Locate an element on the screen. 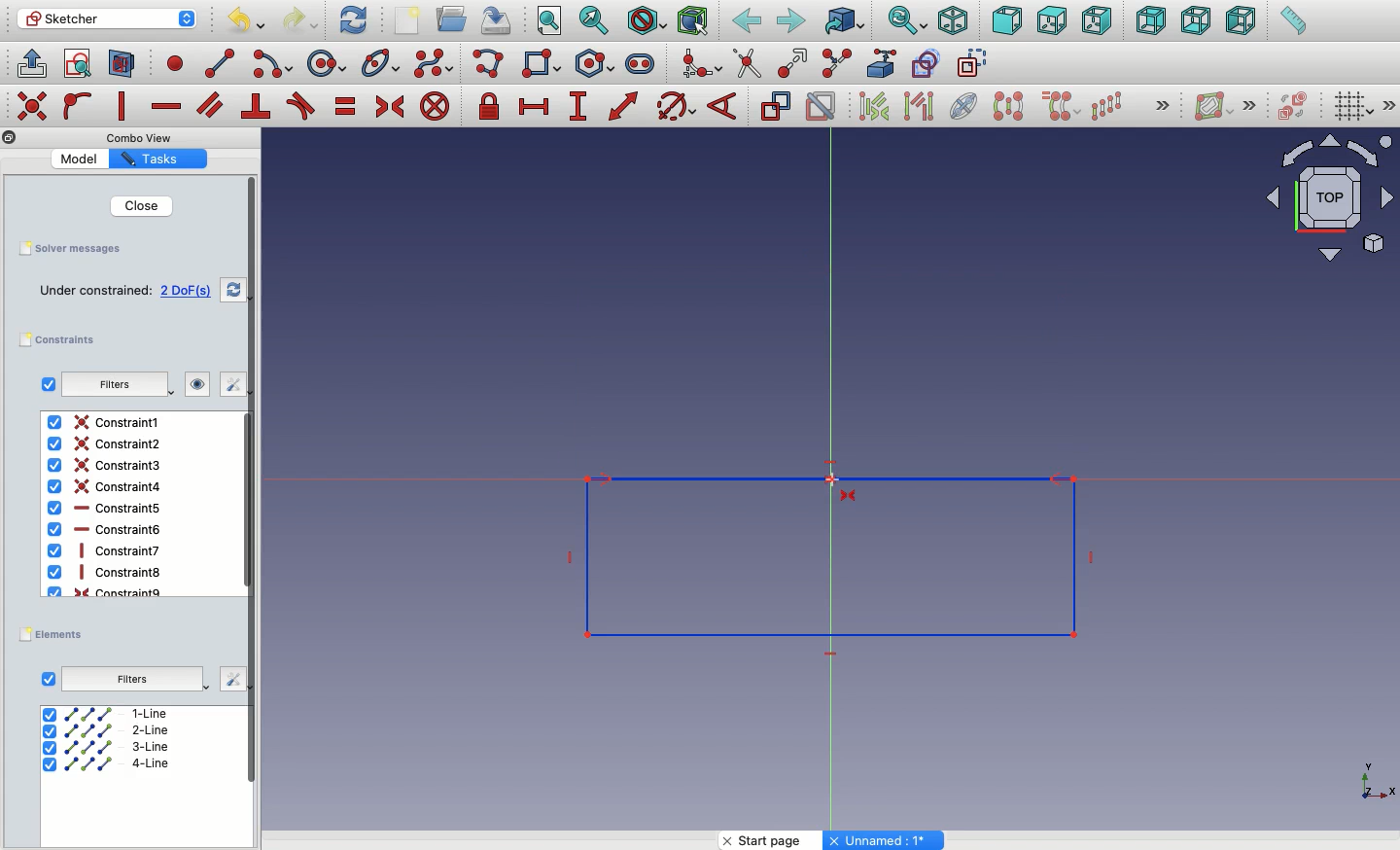 The image size is (1400, 850). Conic is located at coordinates (382, 64).